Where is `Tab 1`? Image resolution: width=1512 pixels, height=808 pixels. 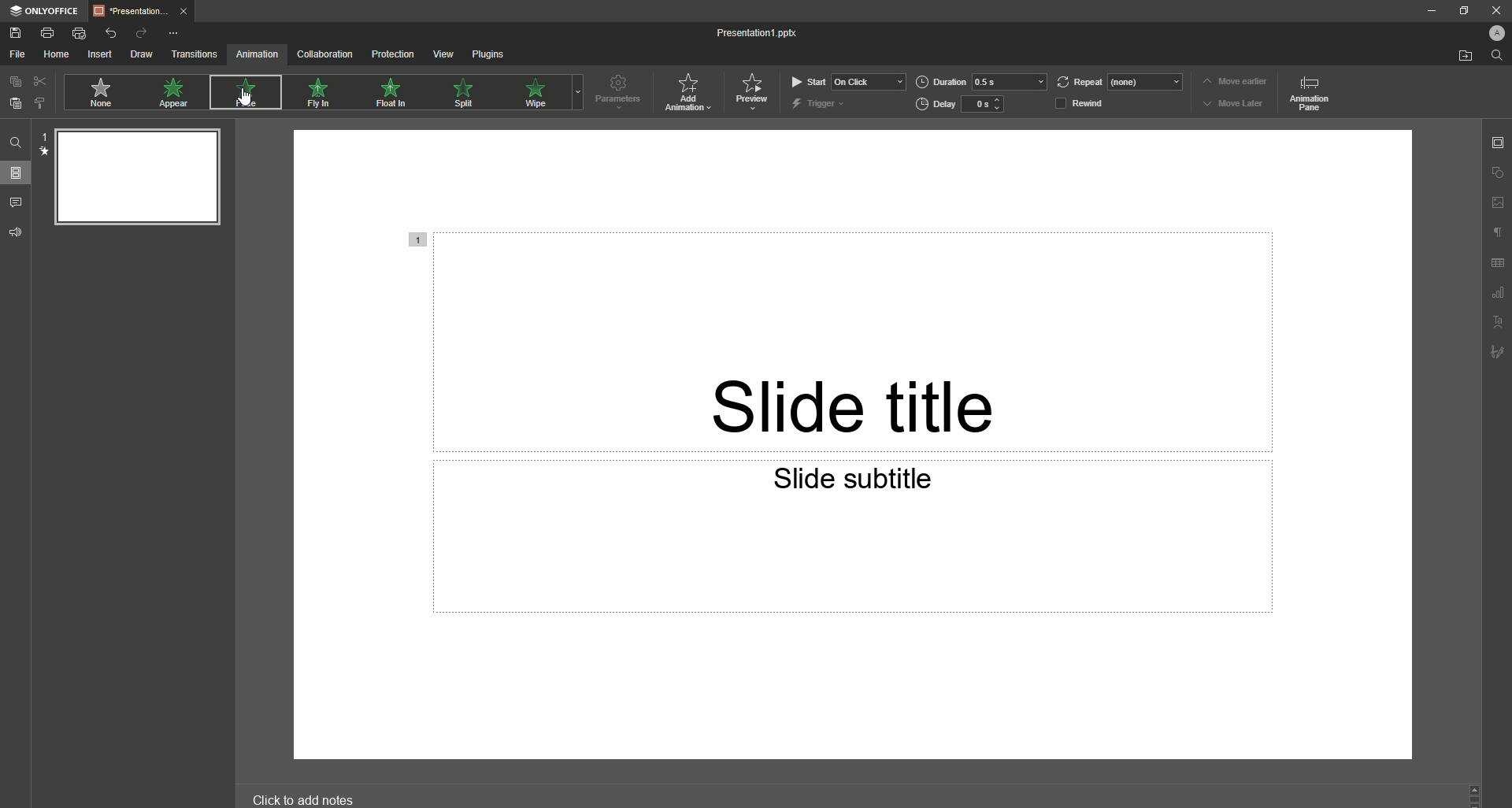
Tab 1 is located at coordinates (139, 12).